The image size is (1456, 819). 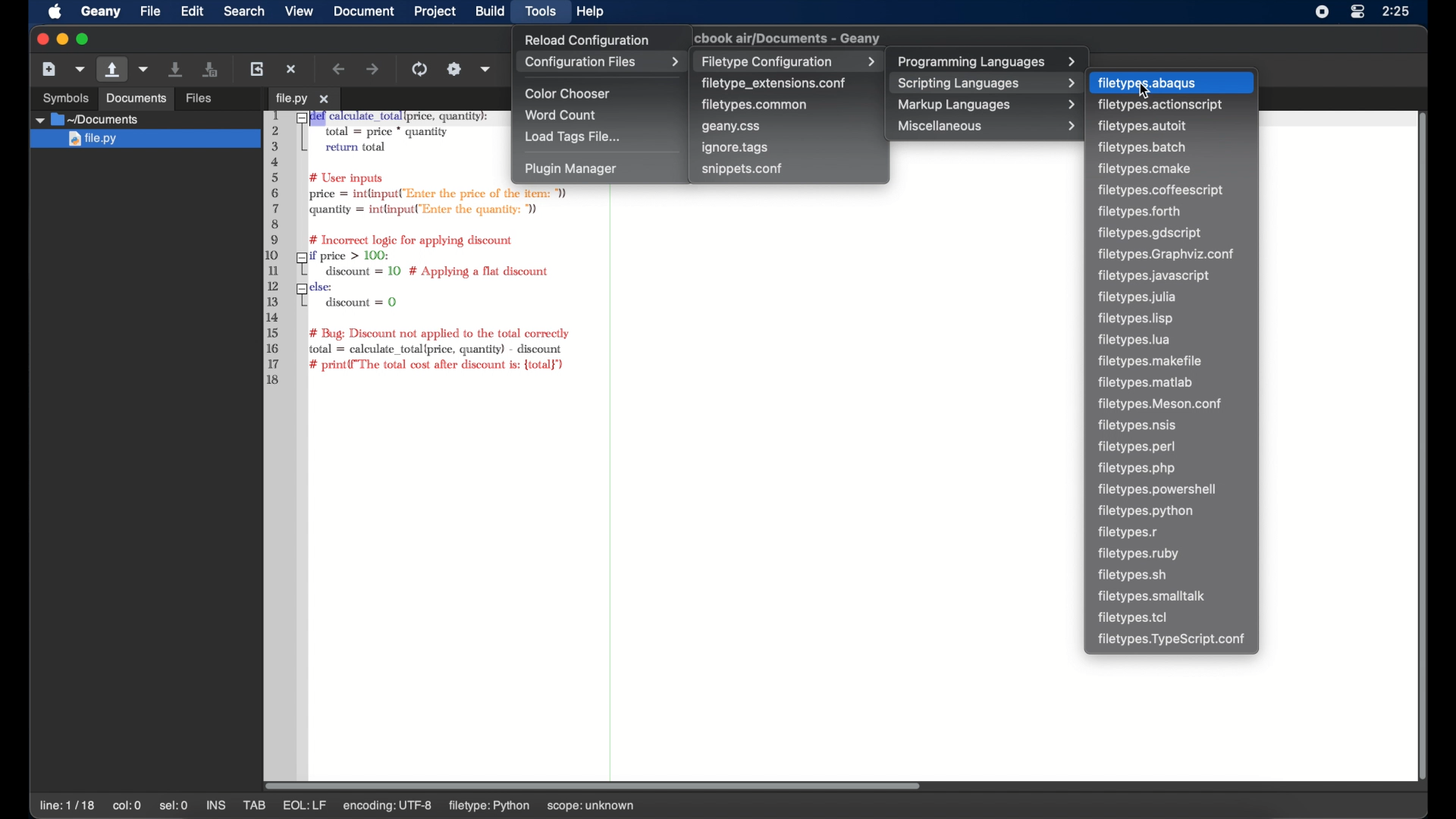 What do you see at coordinates (988, 105) in the screenshot?
I see `markup languages` at bounding box center [988, 105].